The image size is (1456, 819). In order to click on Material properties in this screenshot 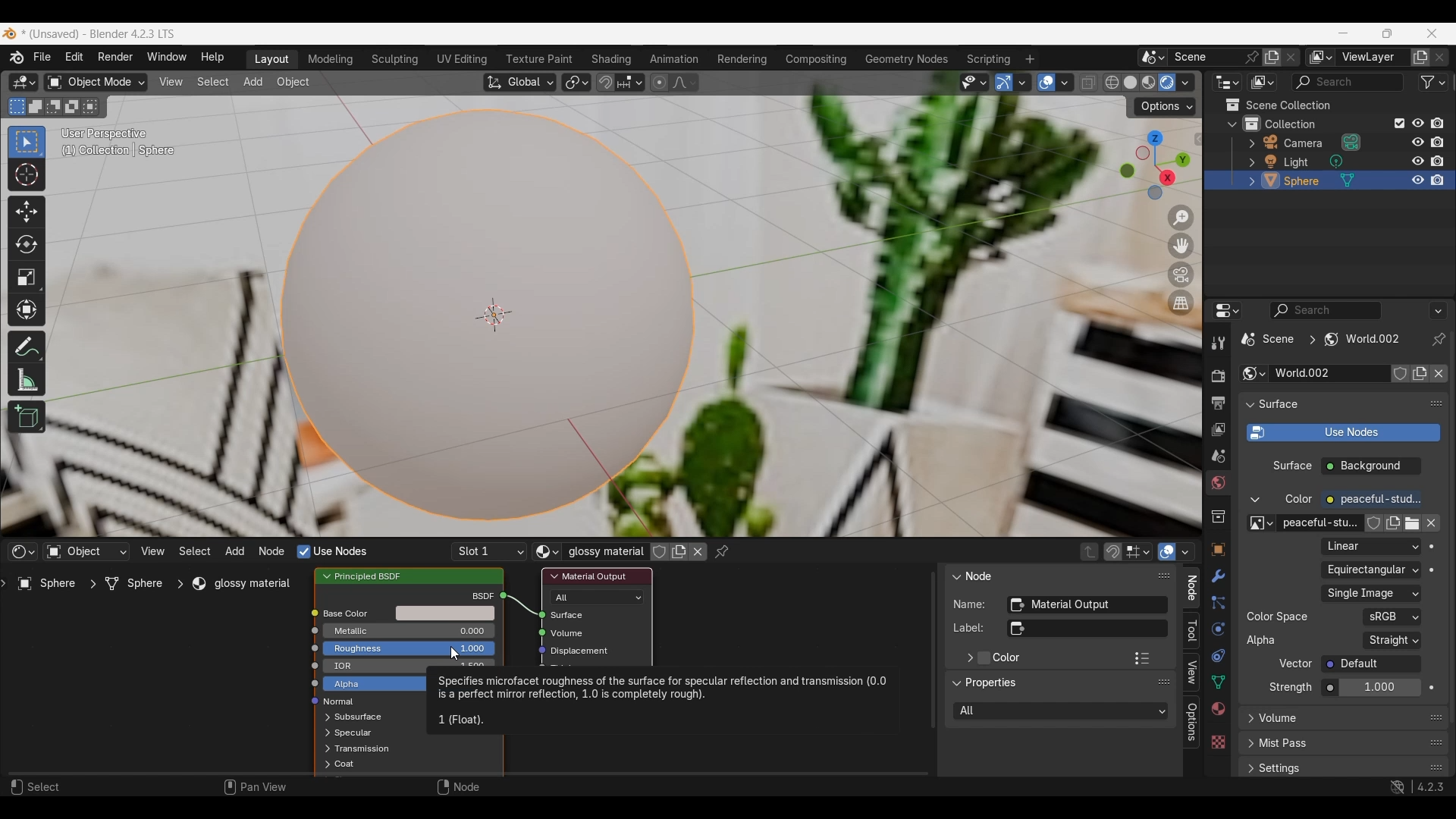, I will do `click(1218, 708)`.